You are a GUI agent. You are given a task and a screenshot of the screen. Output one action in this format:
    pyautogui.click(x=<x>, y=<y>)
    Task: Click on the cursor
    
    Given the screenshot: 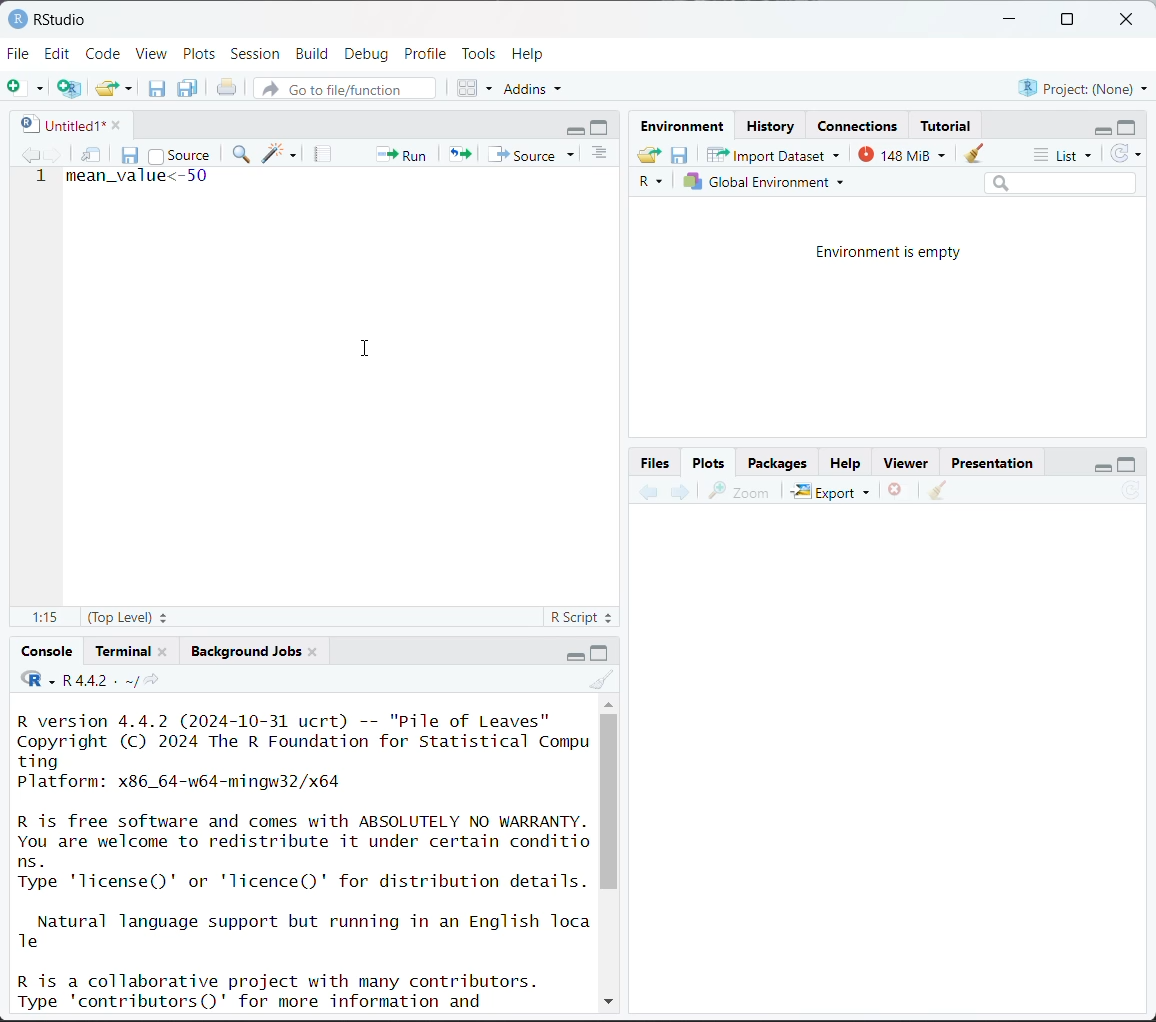 What is the action you would take?
    pyautogui.click(x=369, y=349)
    